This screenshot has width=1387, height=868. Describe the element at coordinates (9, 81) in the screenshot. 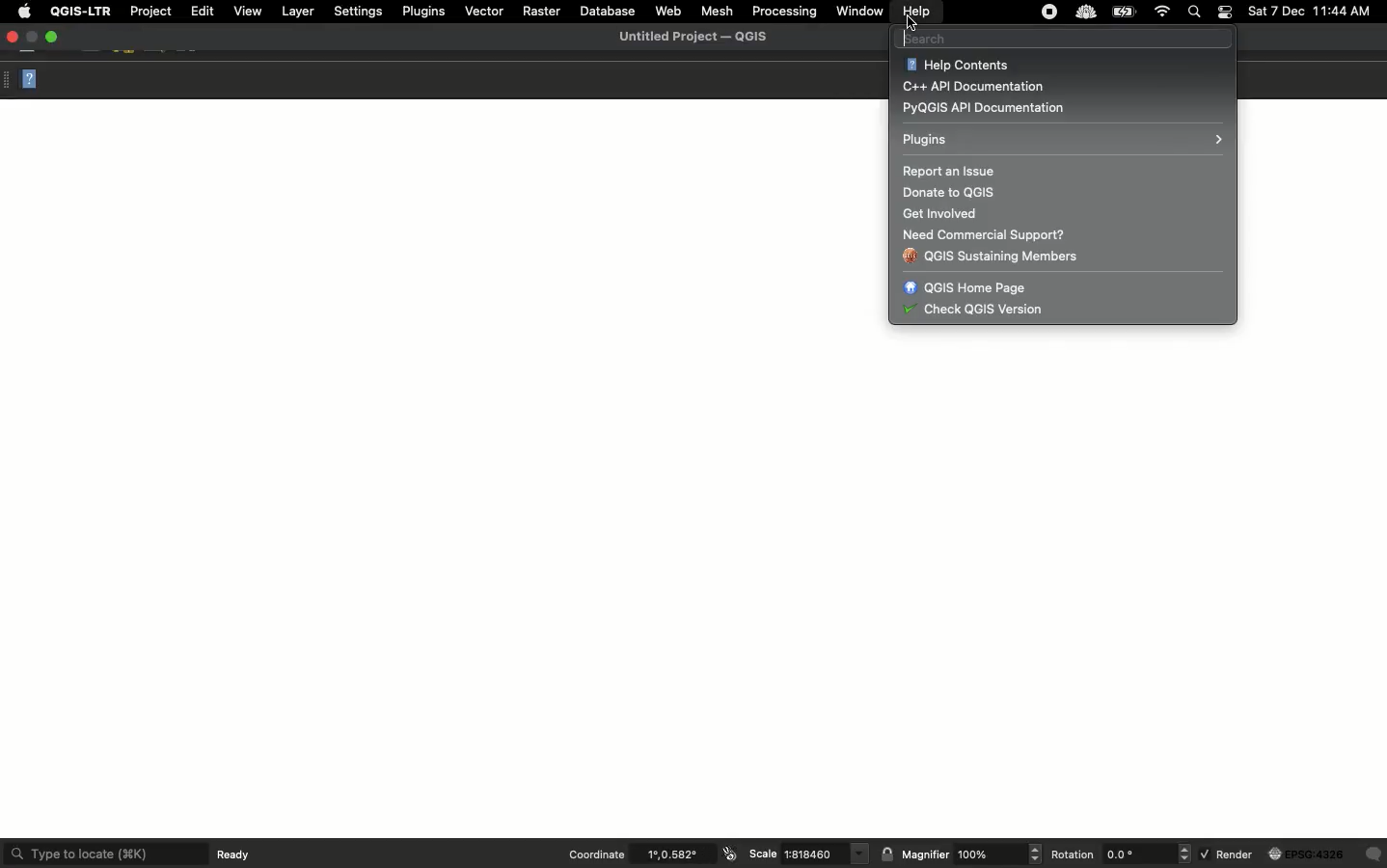

I see `Options` at that location.